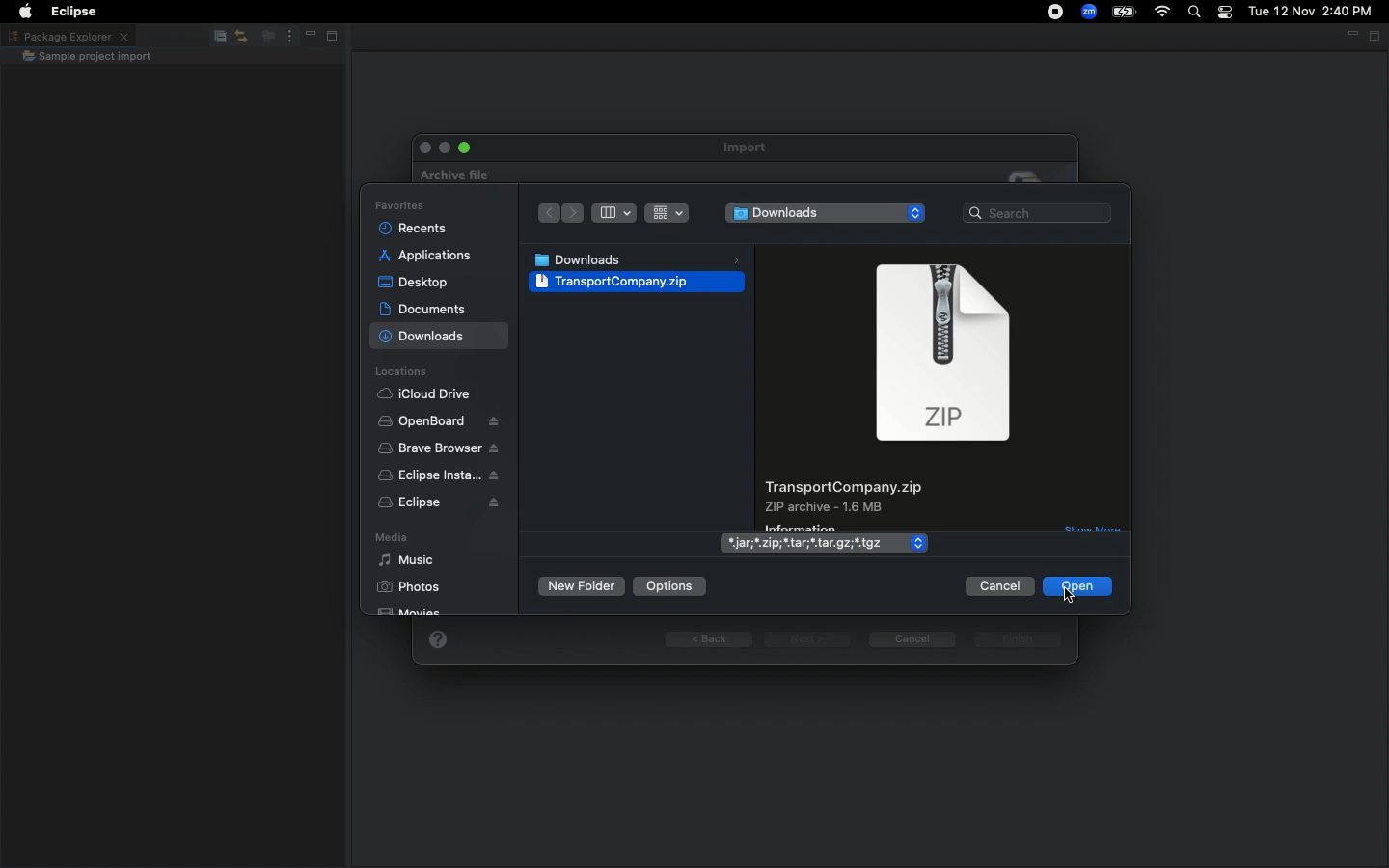 The width and height of the screenshot is (1389, 868). Describe the element at coordinates (824, 214) in the screenshot. I see `Downloads` at that location.